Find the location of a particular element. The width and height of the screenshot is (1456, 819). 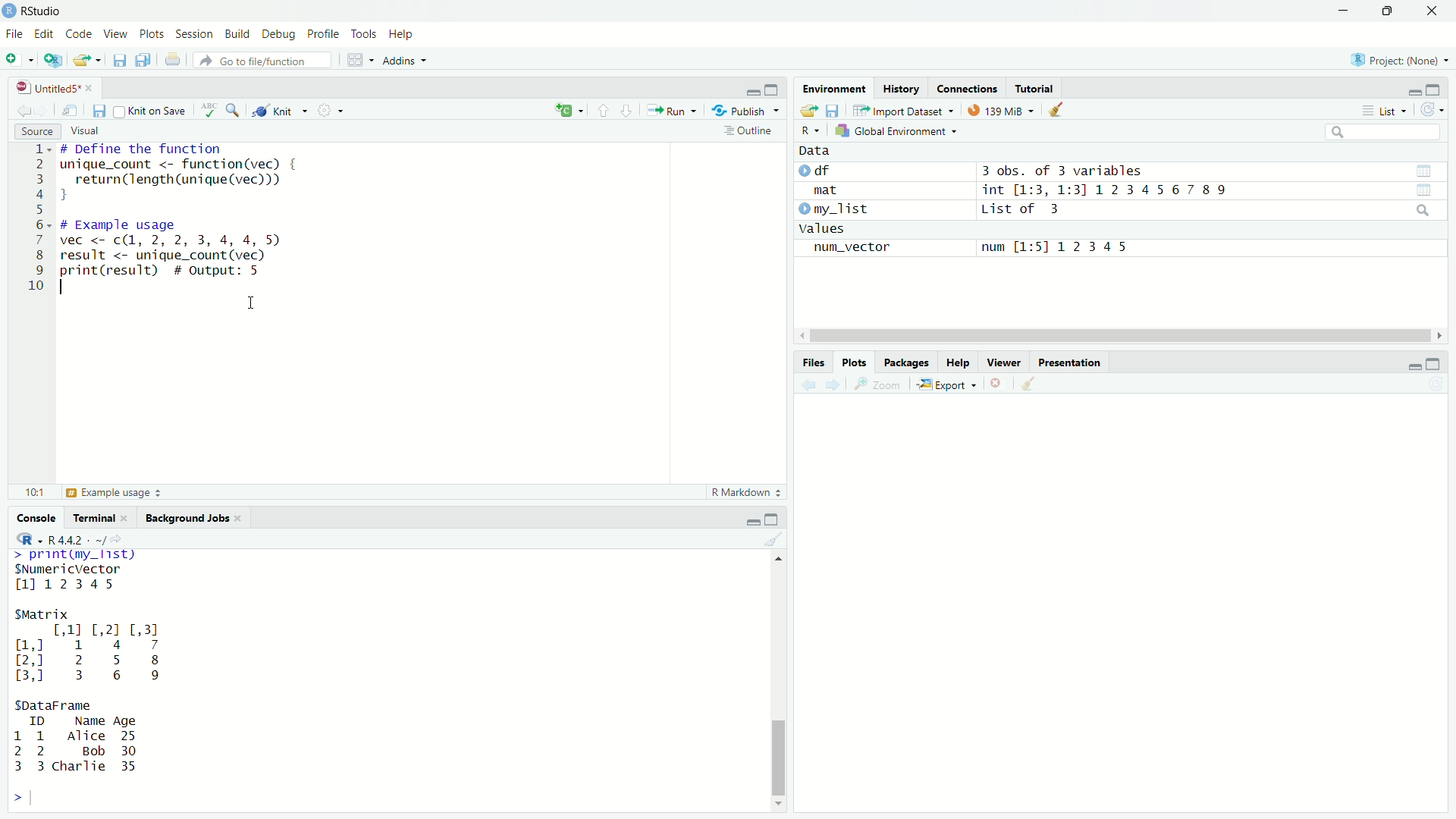

Profile is located at coordinates (325, 34).